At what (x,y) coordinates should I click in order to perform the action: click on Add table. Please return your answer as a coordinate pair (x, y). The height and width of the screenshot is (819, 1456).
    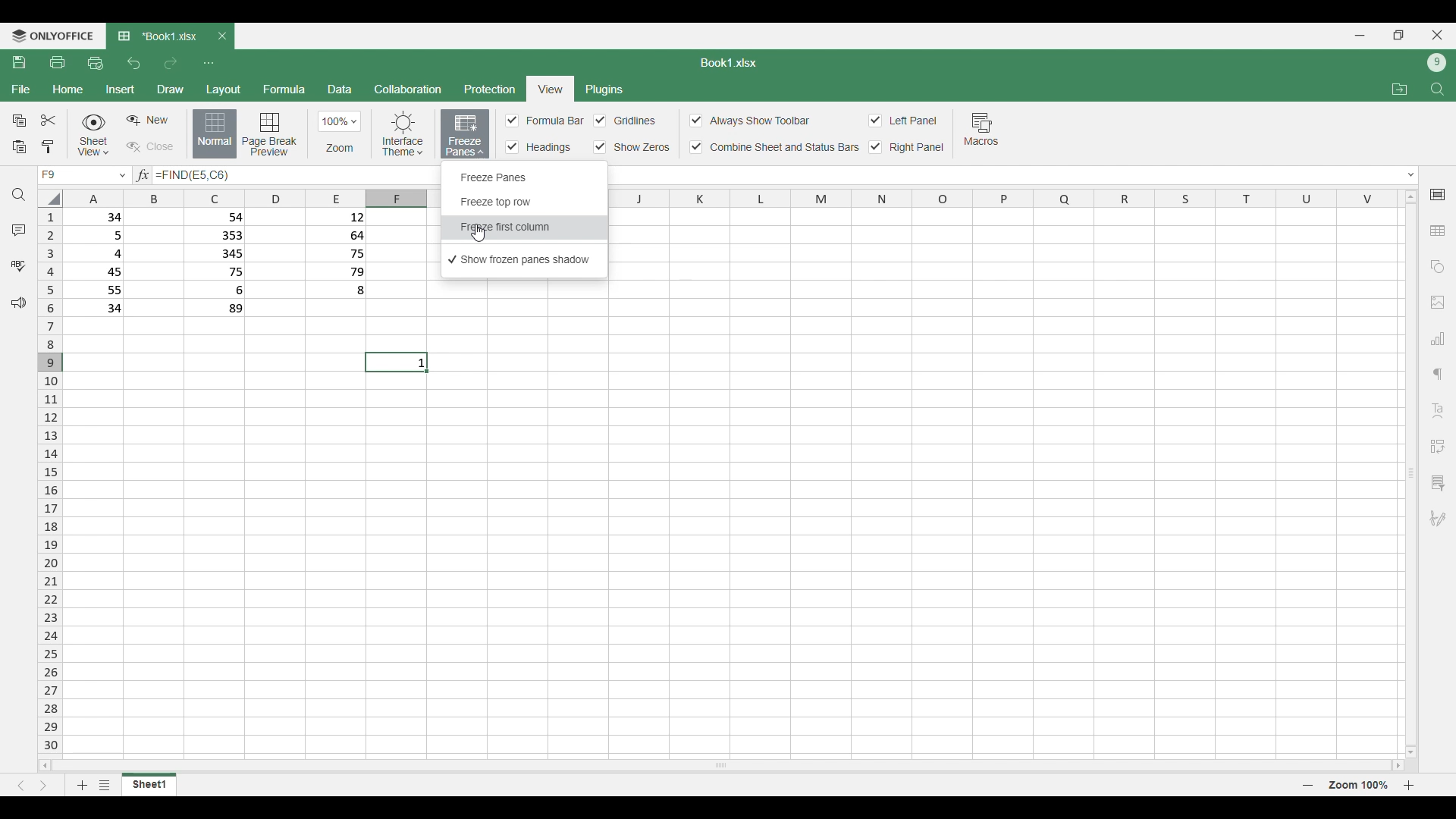
    Looking at the image, I should click on (1438, 231).